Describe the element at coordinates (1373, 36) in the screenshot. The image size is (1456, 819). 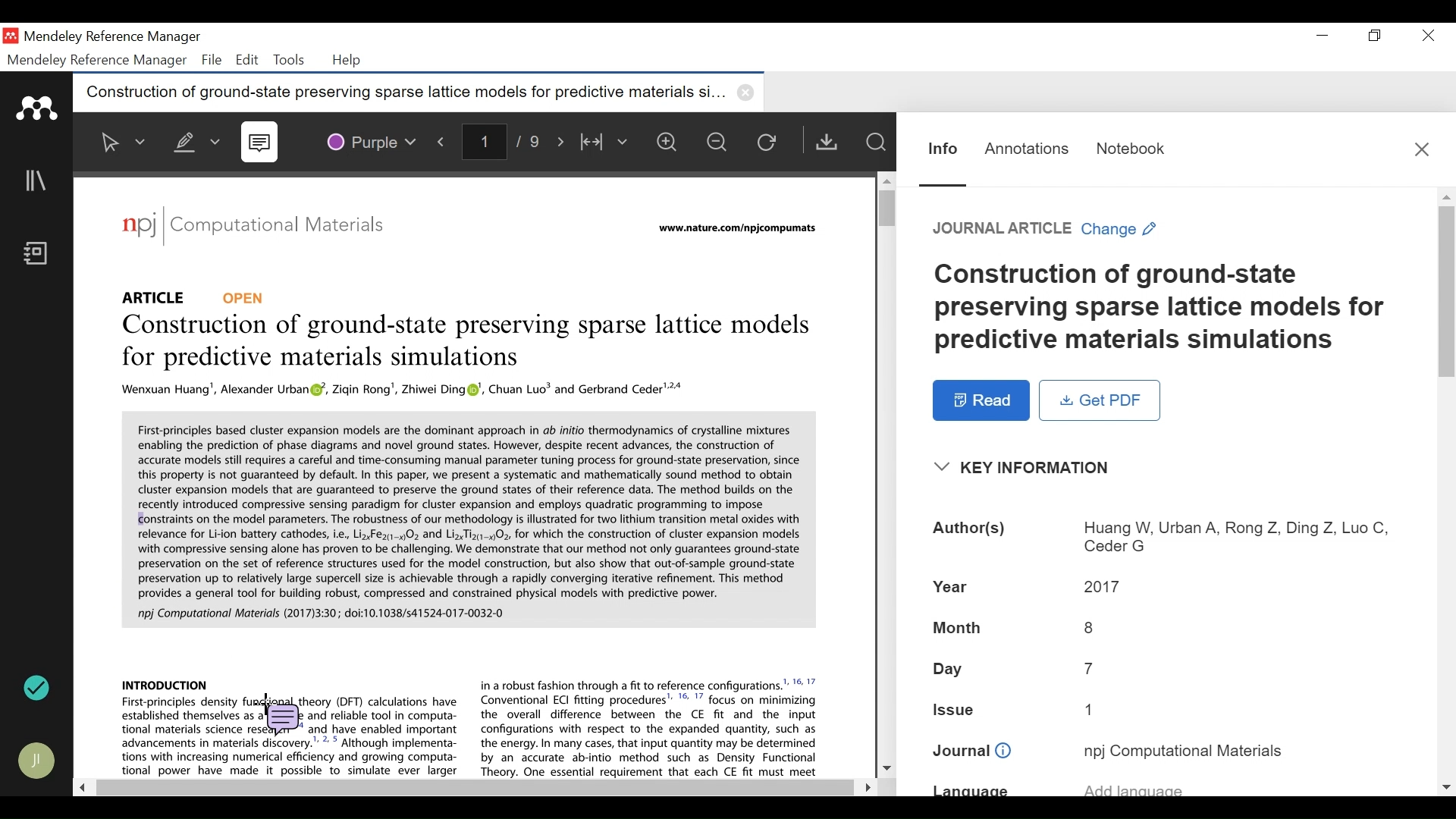
I see `Restore` at that location.